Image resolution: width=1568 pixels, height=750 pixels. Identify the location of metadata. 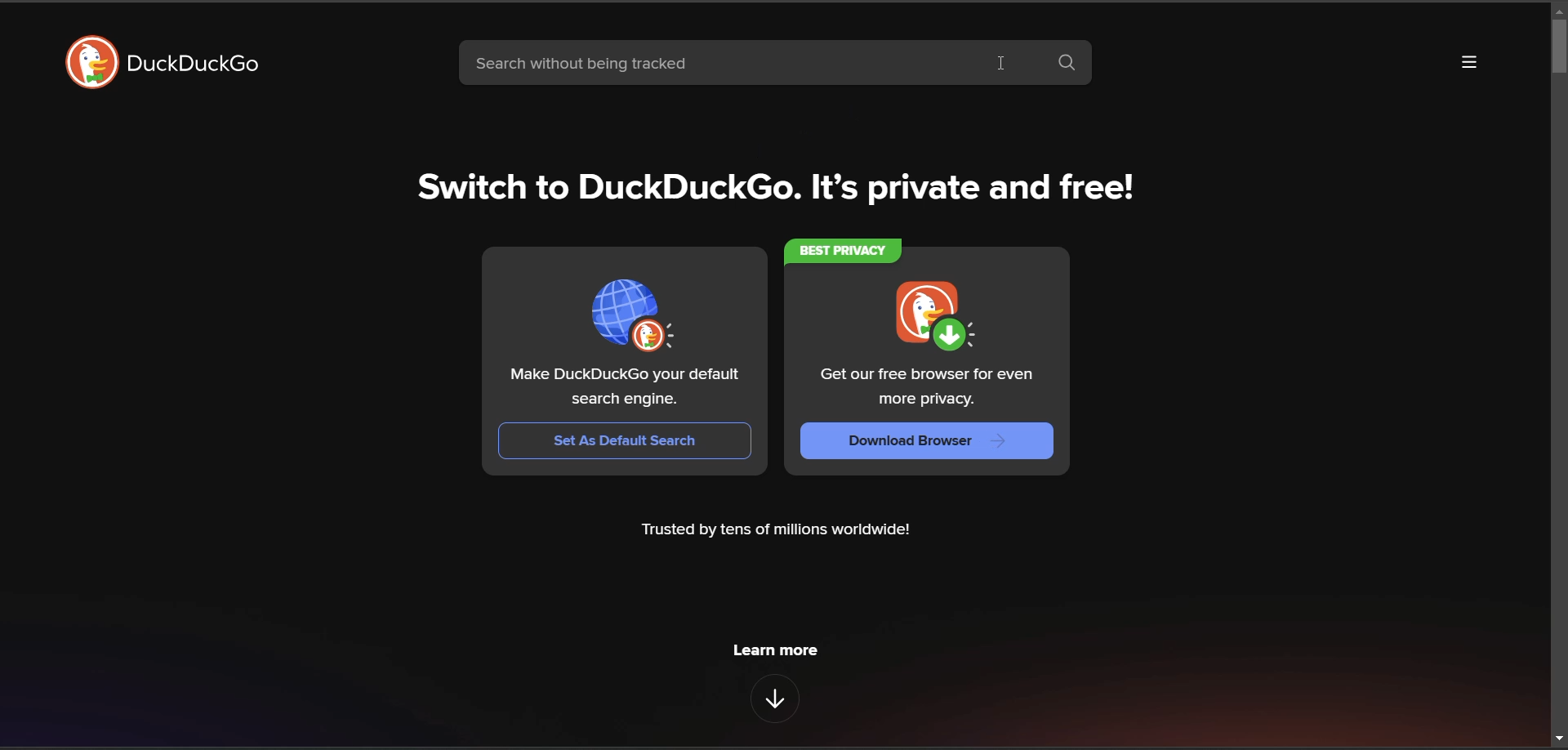
(777, 532).